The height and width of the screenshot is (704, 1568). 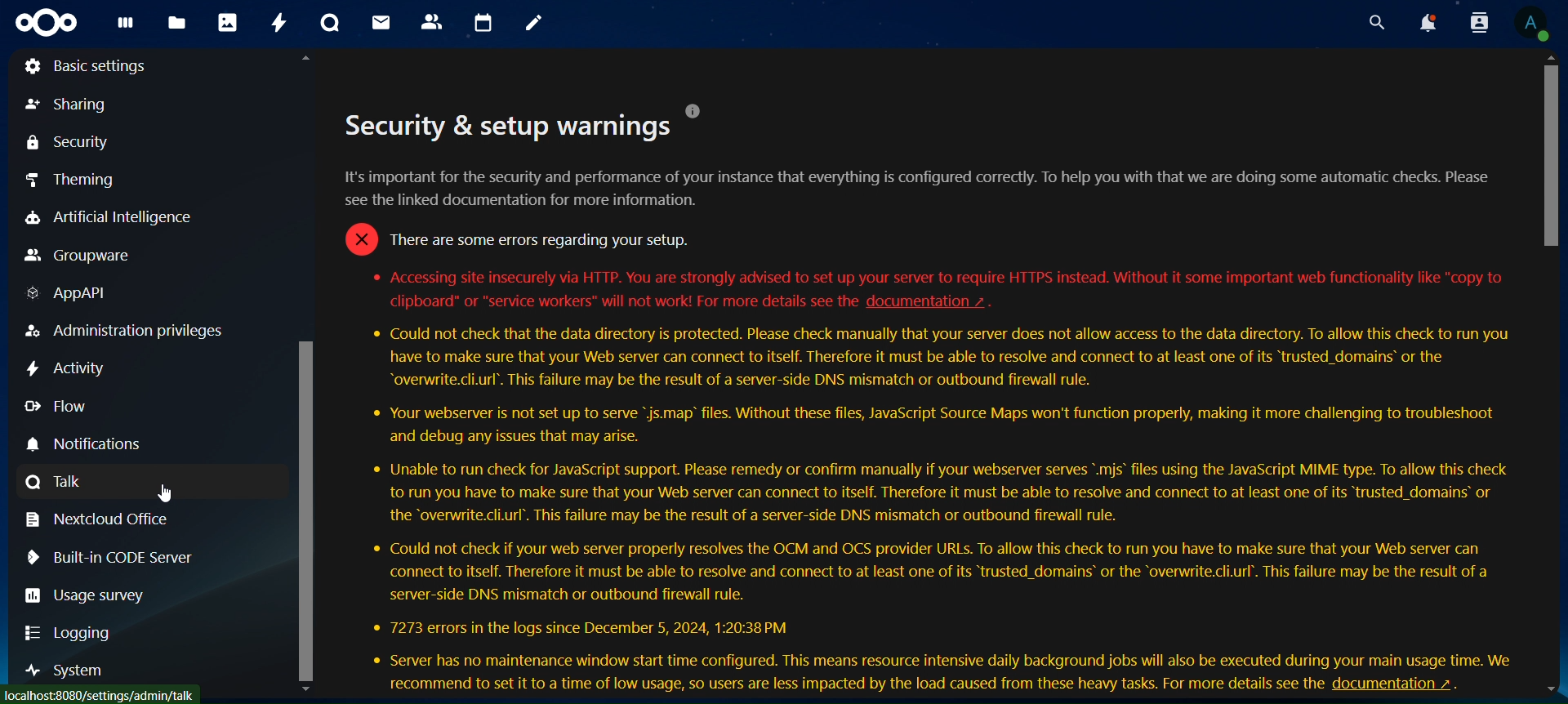 I want to click on calendar, so click(x=485, y=25).